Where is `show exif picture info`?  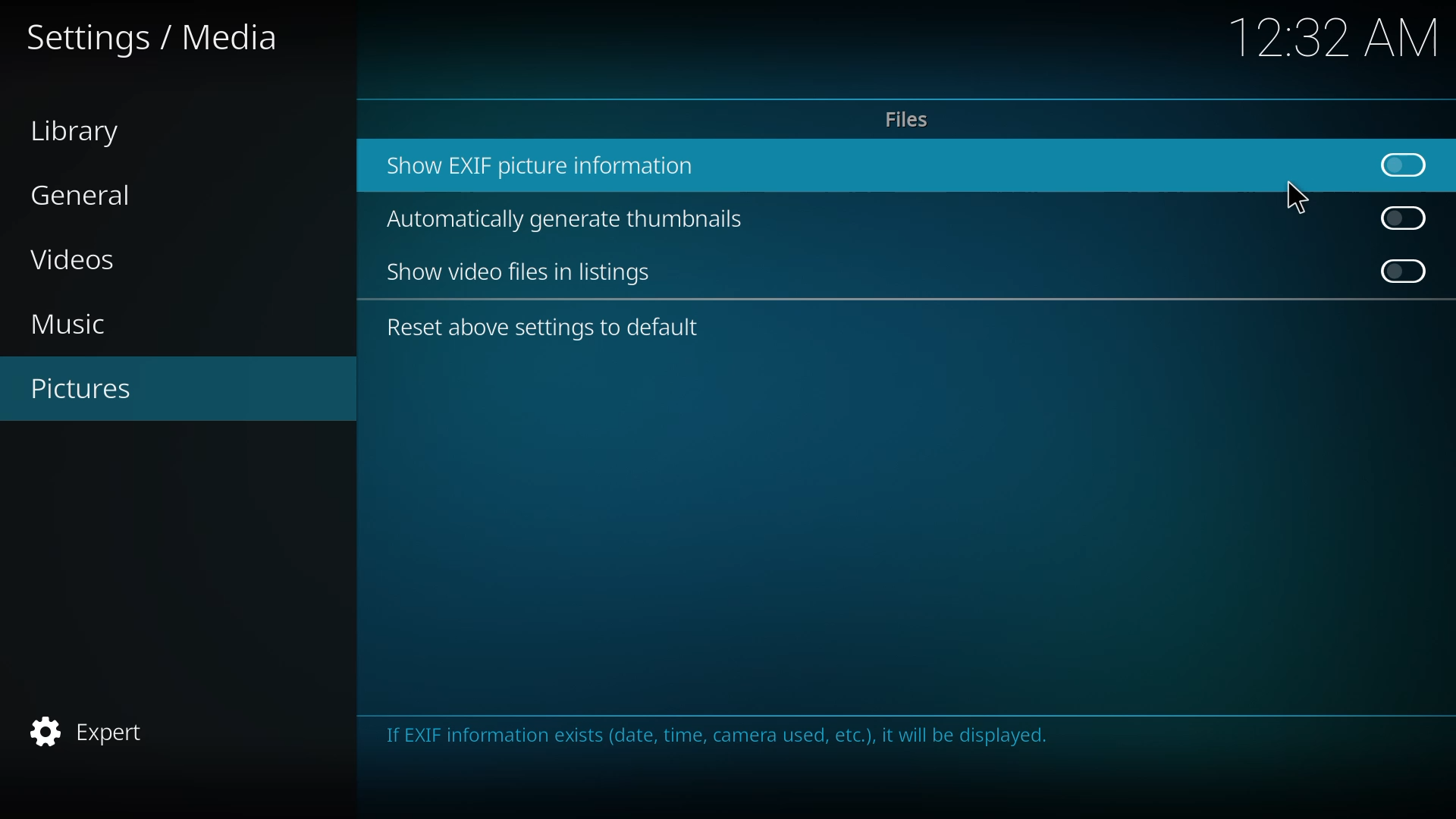 show exif picture info is located at coordinates (544, 165).